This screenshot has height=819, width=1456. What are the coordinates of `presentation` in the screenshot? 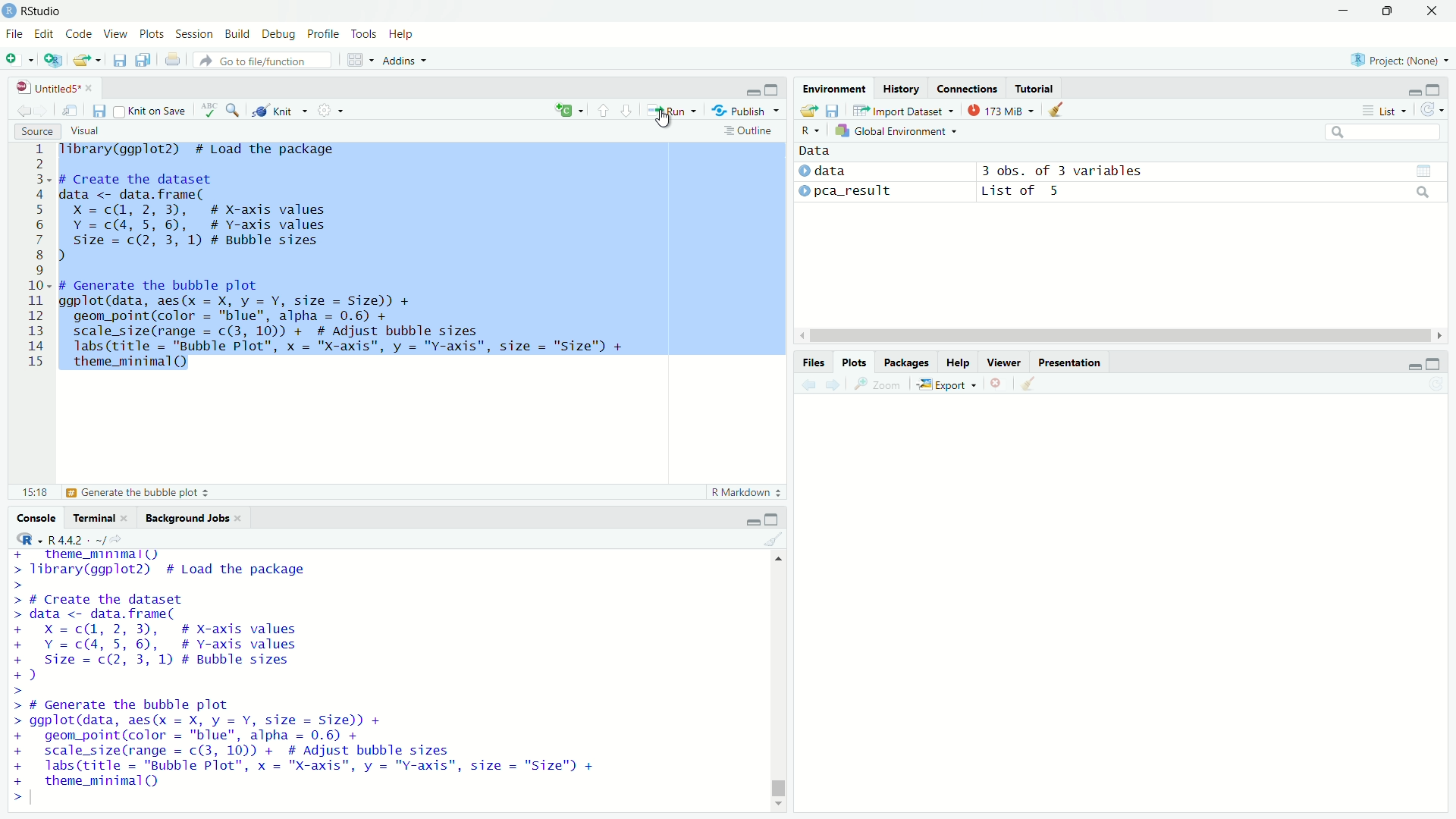 It's located at (1069, 362).